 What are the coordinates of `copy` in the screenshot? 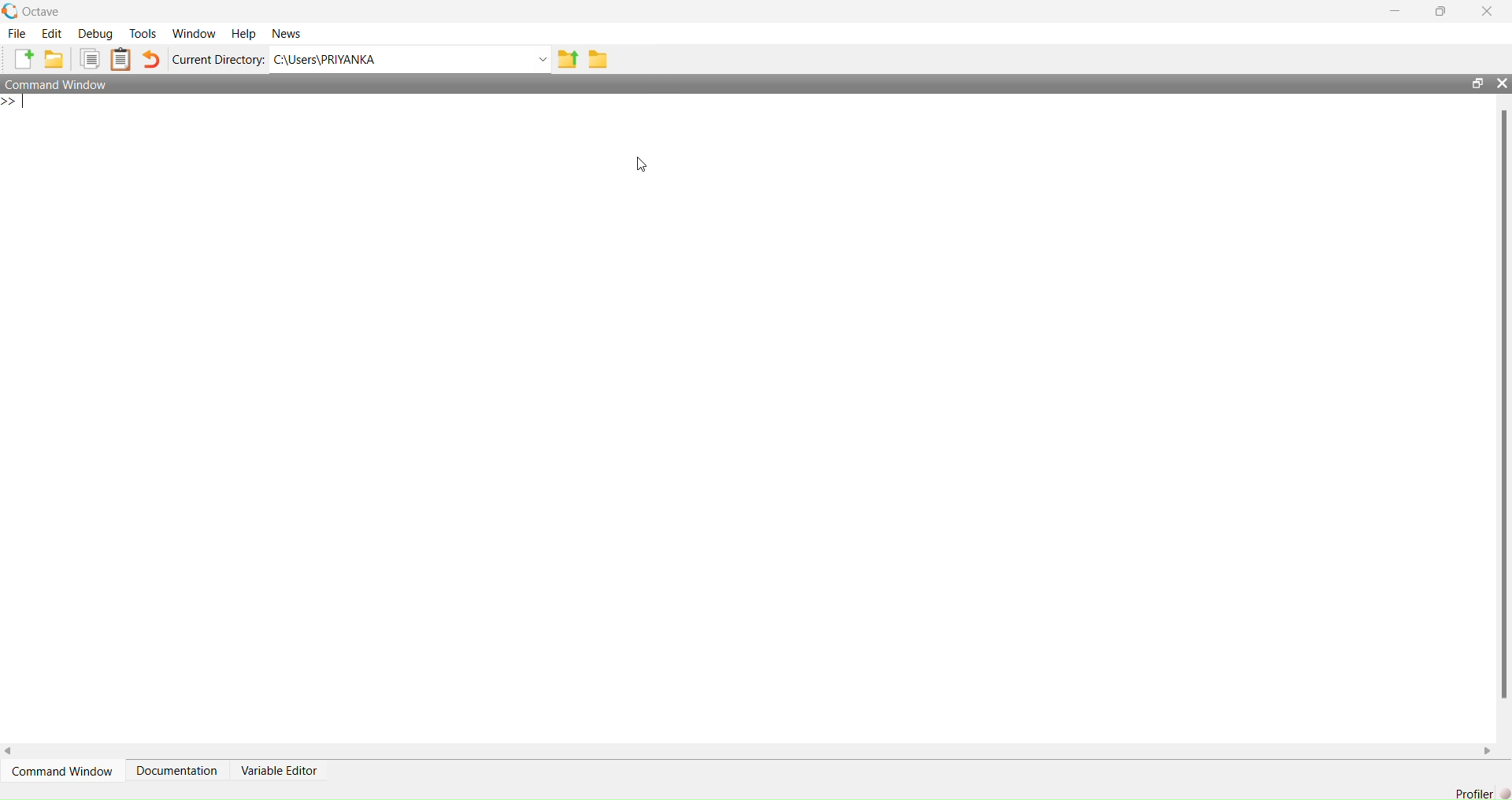 It's located at (89, 59).